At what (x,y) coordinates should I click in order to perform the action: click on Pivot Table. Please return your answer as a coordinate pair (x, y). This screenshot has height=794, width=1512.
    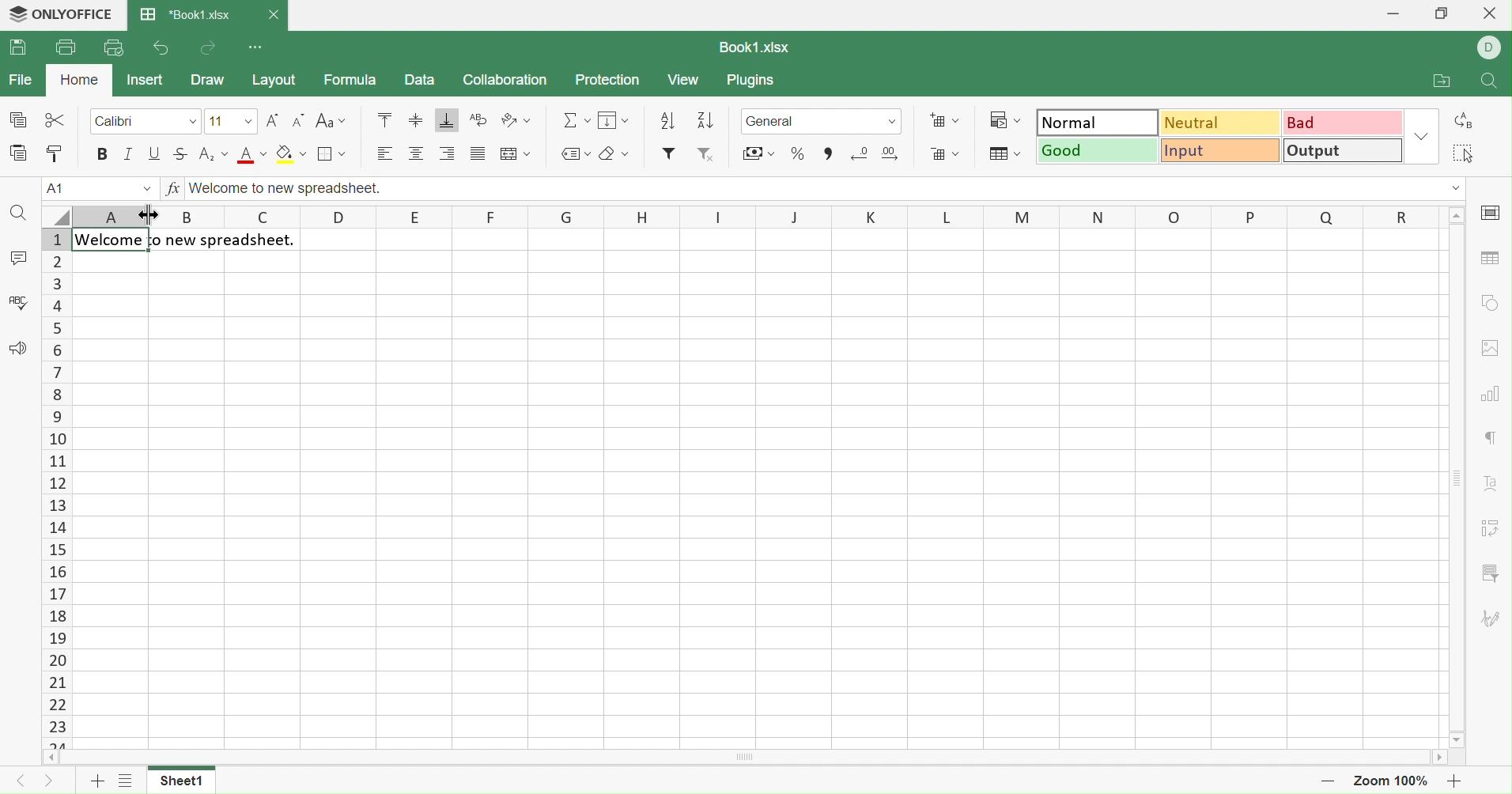
    Looking at the image, I should click on (1489, 531).